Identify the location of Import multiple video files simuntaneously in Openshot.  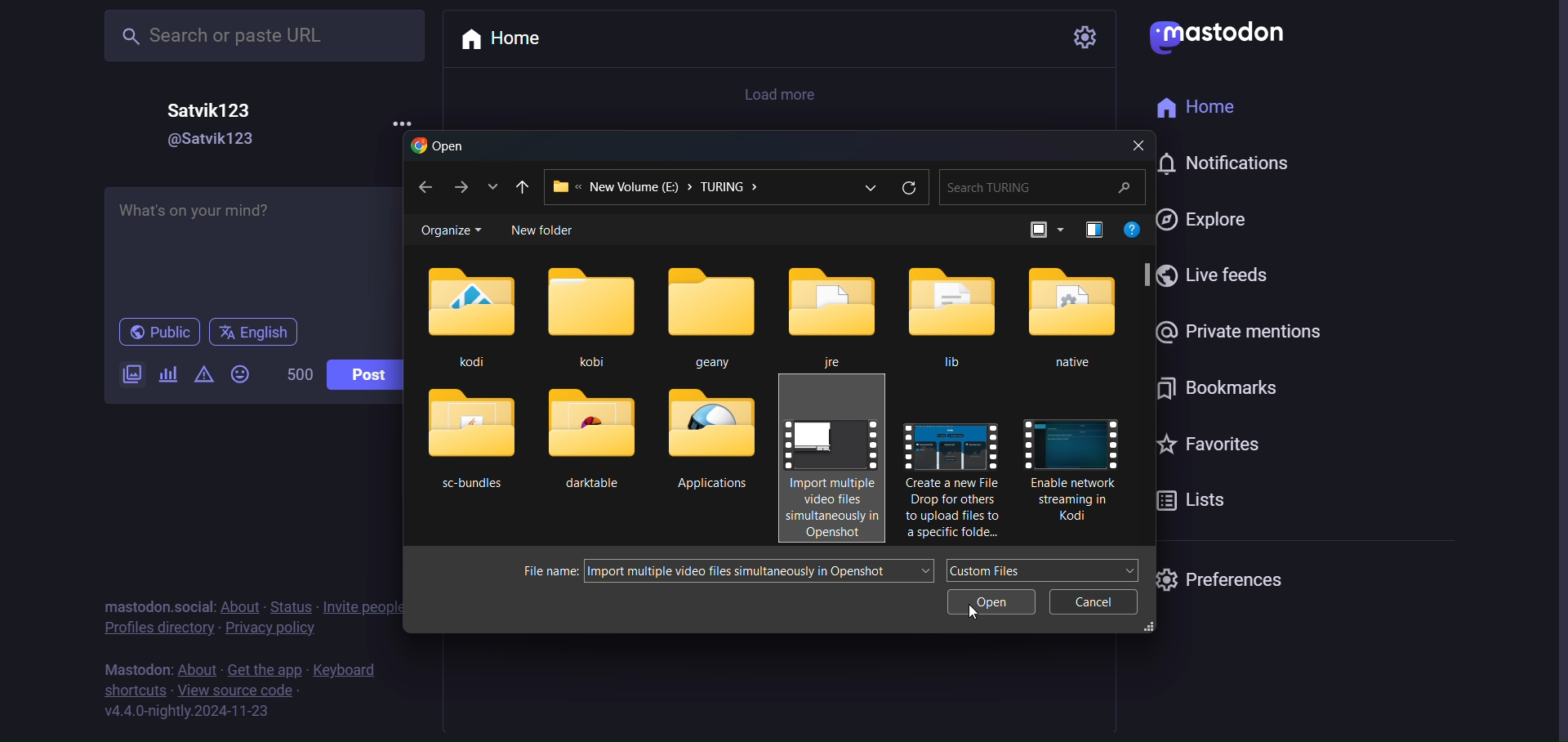
(833, 467).